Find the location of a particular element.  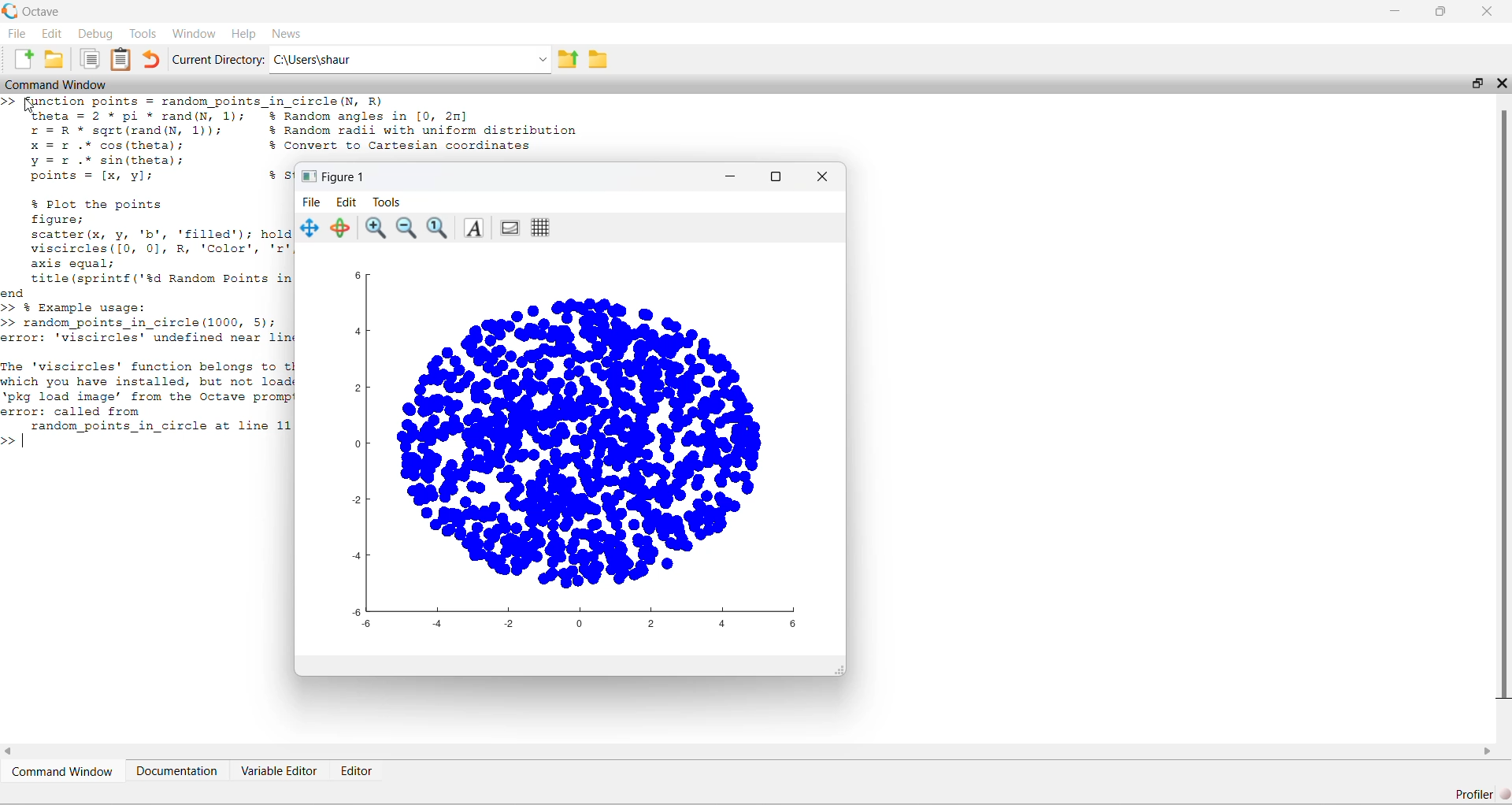

Octave logo is located at coordinates (10, 11).